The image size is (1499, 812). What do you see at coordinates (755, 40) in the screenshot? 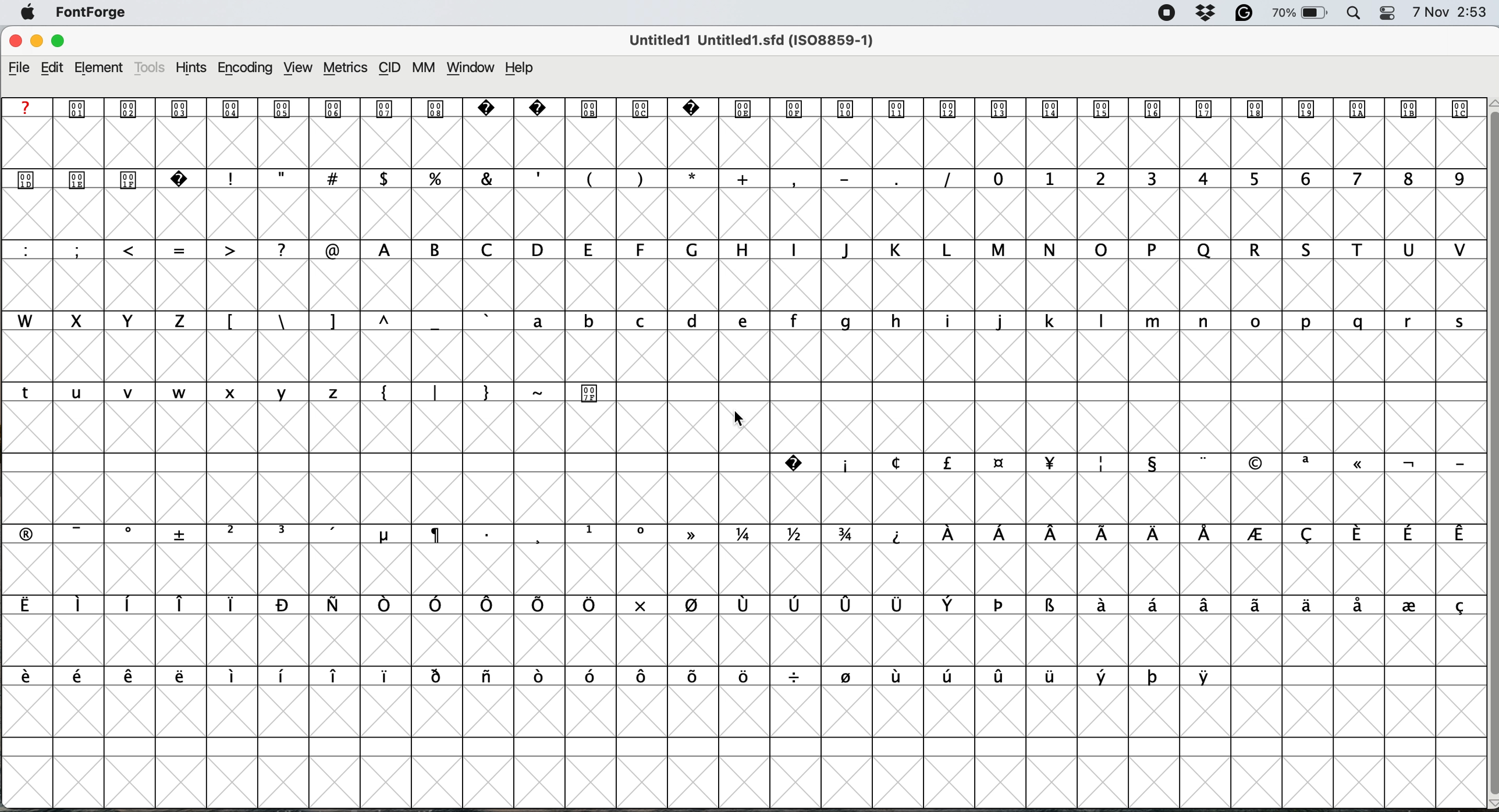
I see `Untitled1 Untitled1.sfd (ISO8859-1)` at bounding box center [755, 40].